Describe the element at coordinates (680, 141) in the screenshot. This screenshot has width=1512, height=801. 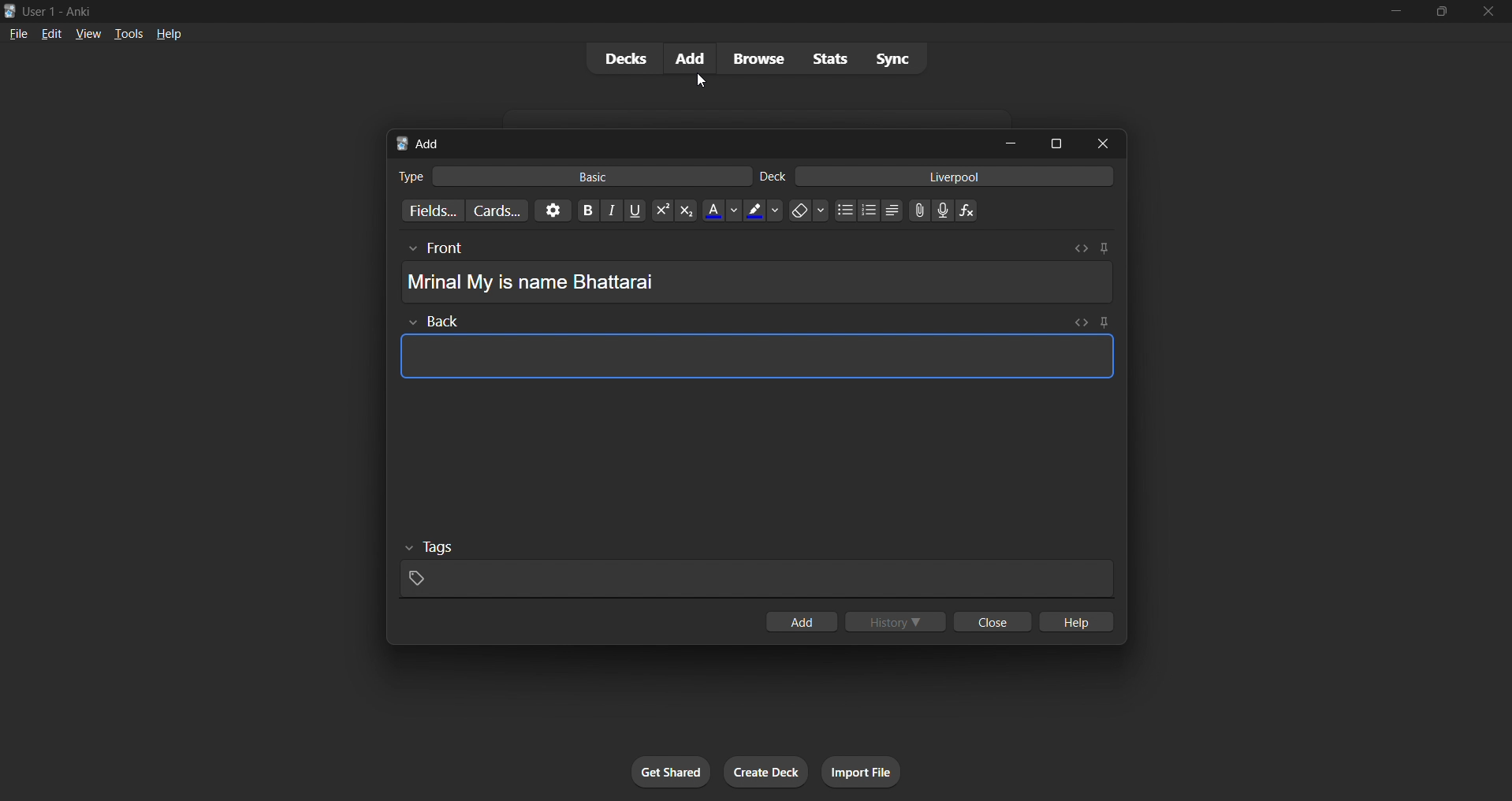
I see `add title bar` at that location.